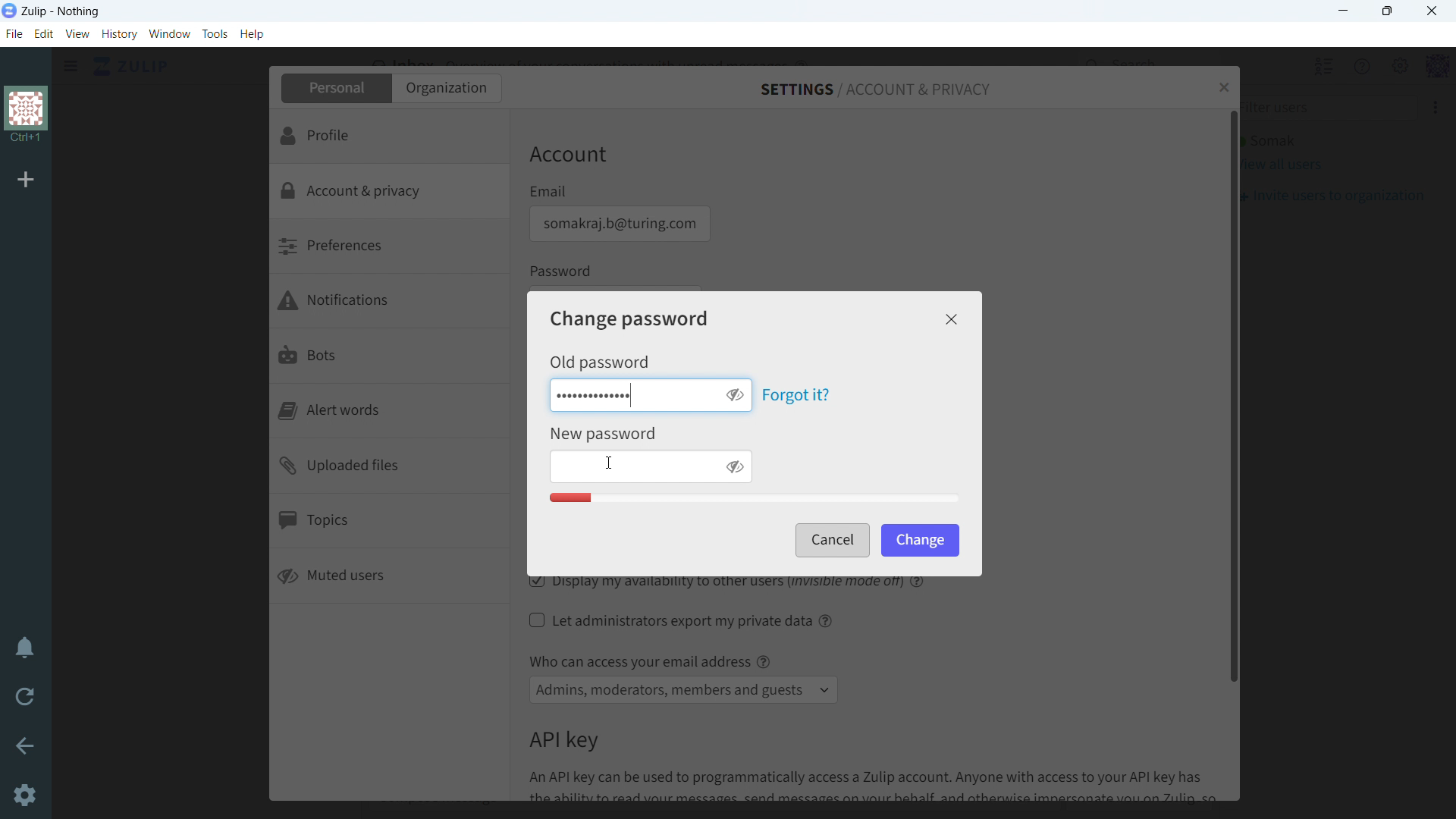 The image size is (1456, 819). What do you see at coordinates (569, 156) in the screenshot?
I see `Account` at bounding box center [569, 156].